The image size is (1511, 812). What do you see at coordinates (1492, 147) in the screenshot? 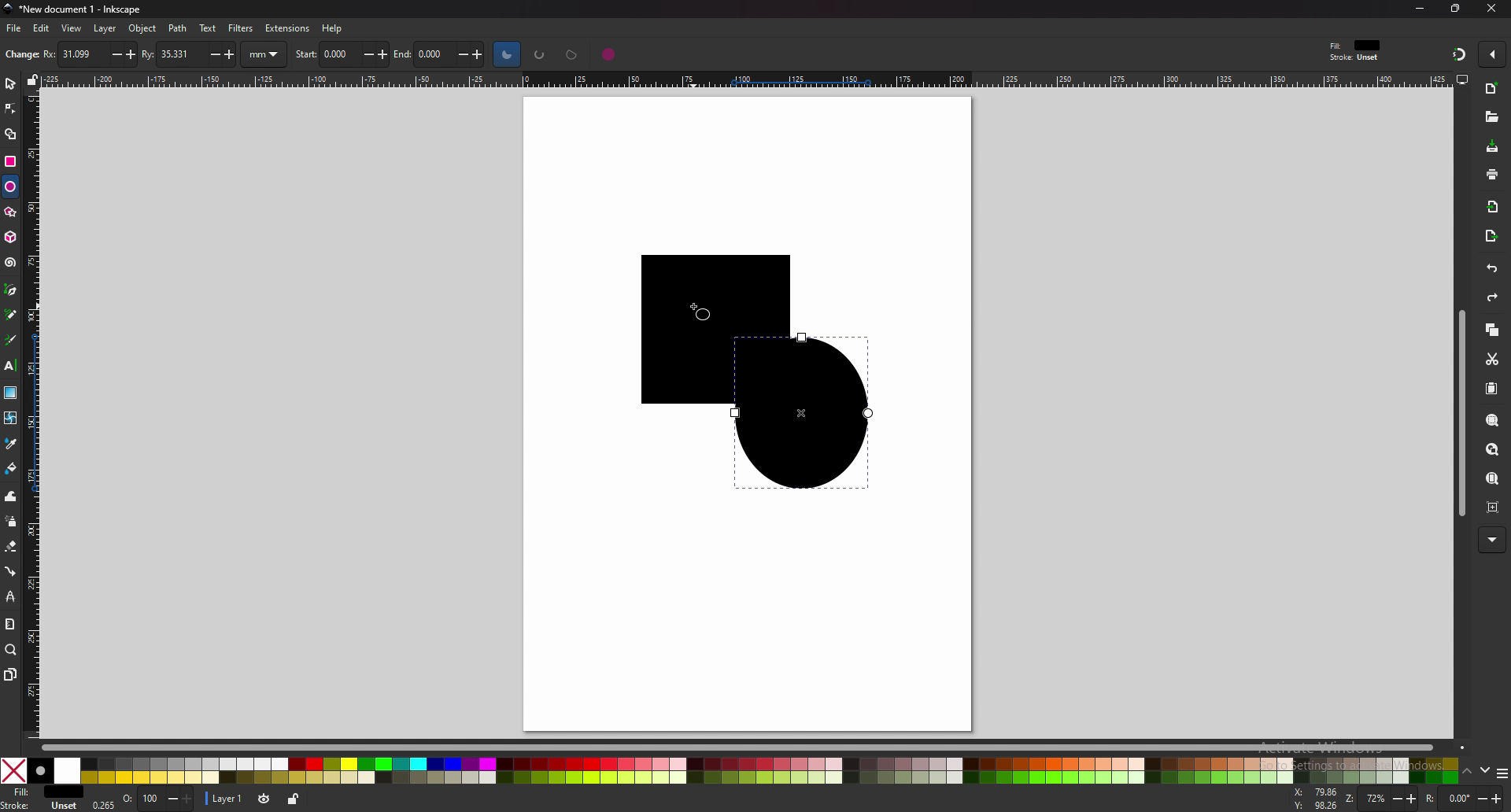
I see `save` at bounding box center [1492, 147].